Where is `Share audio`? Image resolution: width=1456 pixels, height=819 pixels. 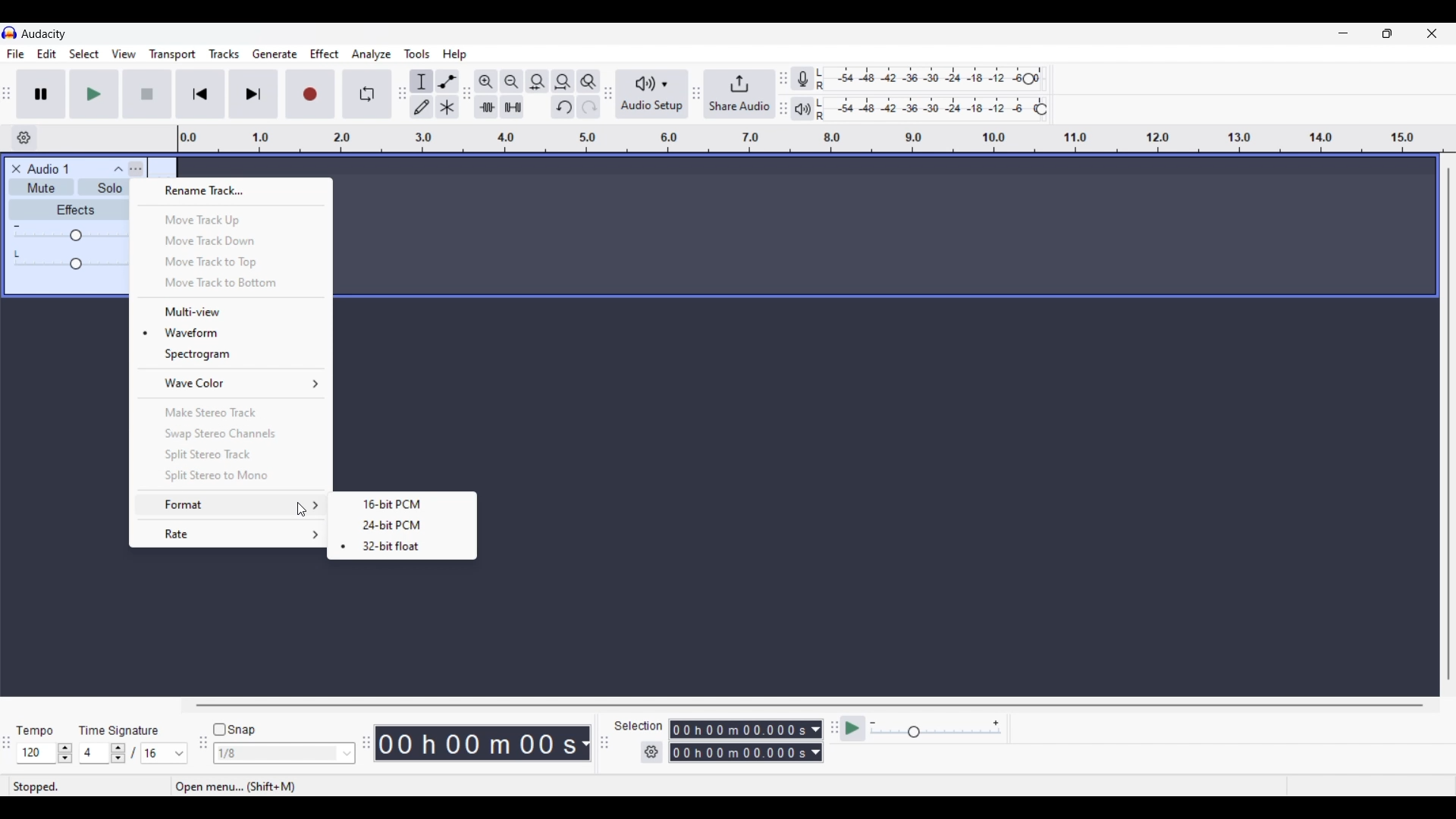 Share audio is located at coordinates (739, 94).